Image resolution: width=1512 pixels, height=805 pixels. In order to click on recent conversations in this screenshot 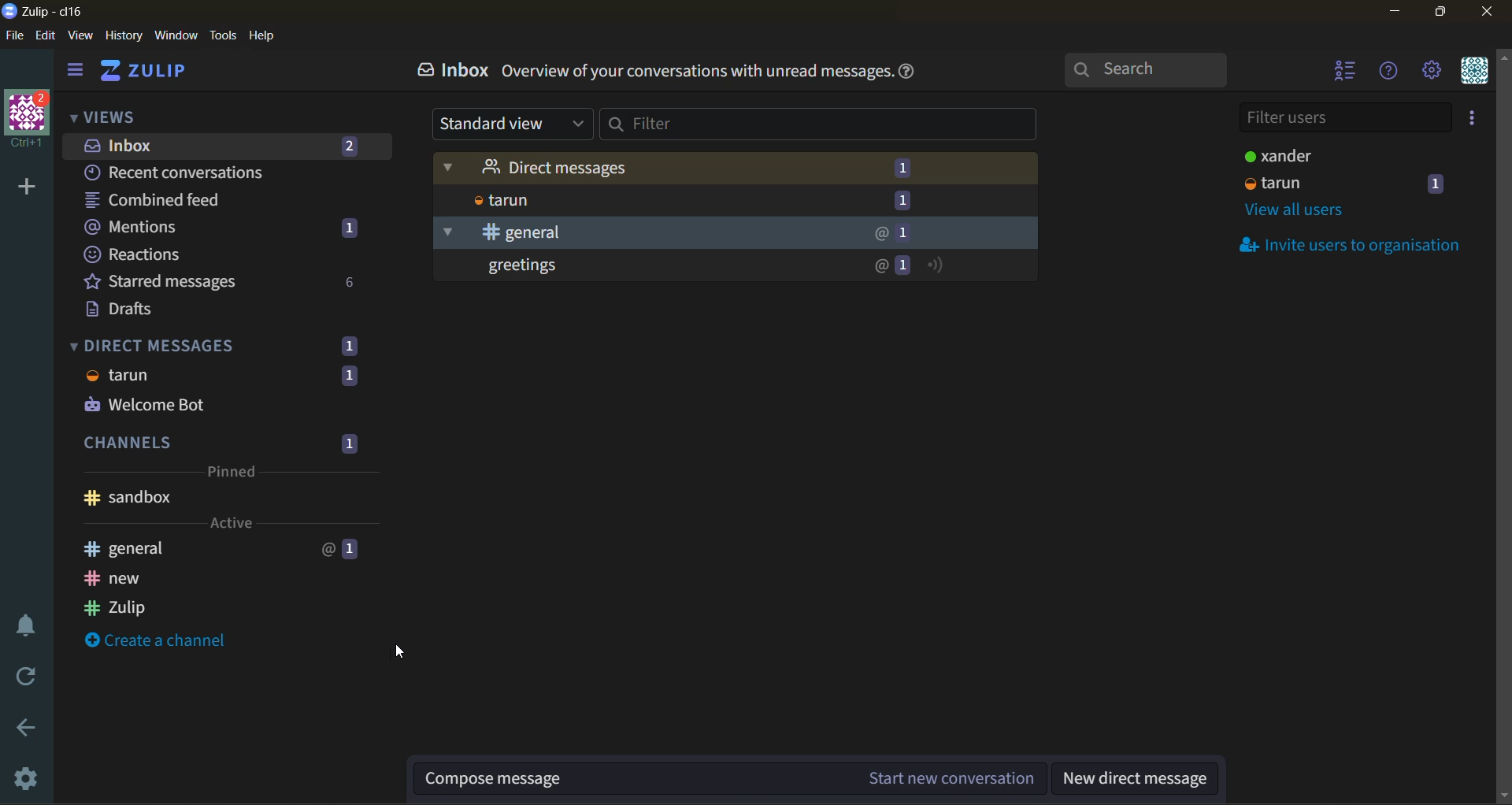, I will do `click(191, 172)`.